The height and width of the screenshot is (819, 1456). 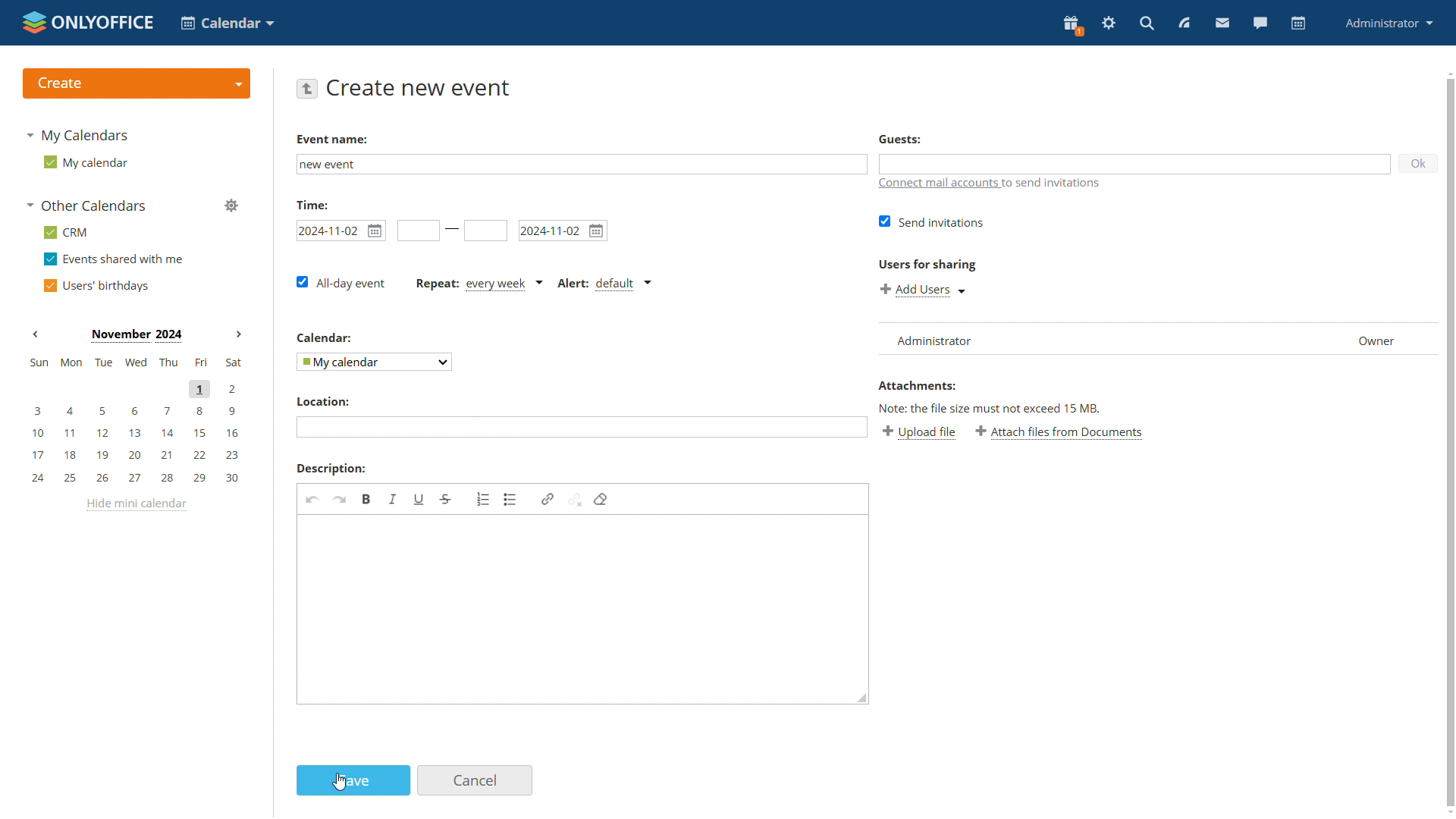 What do you see at coordinates (136, 336) in the screenshot?
I see `Month on display` at bounding box center [136, 336].